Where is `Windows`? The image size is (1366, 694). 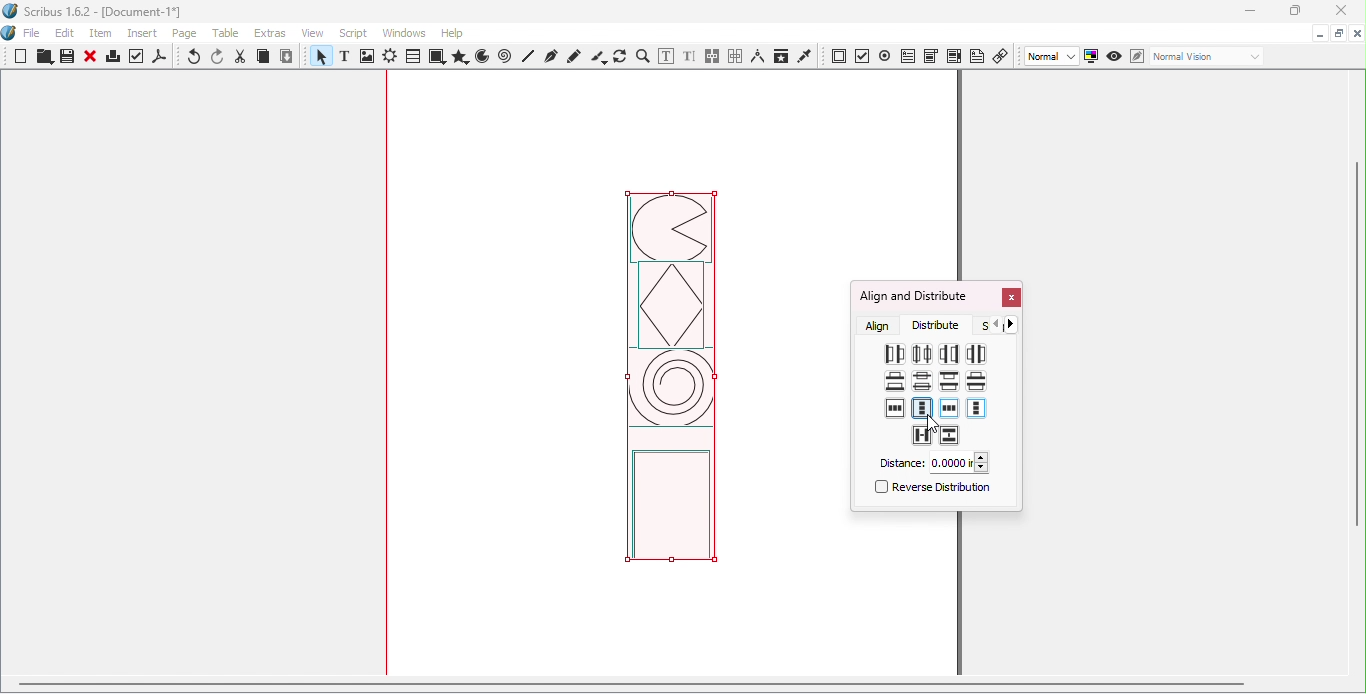
Windows is located at coordinates (404, 33).